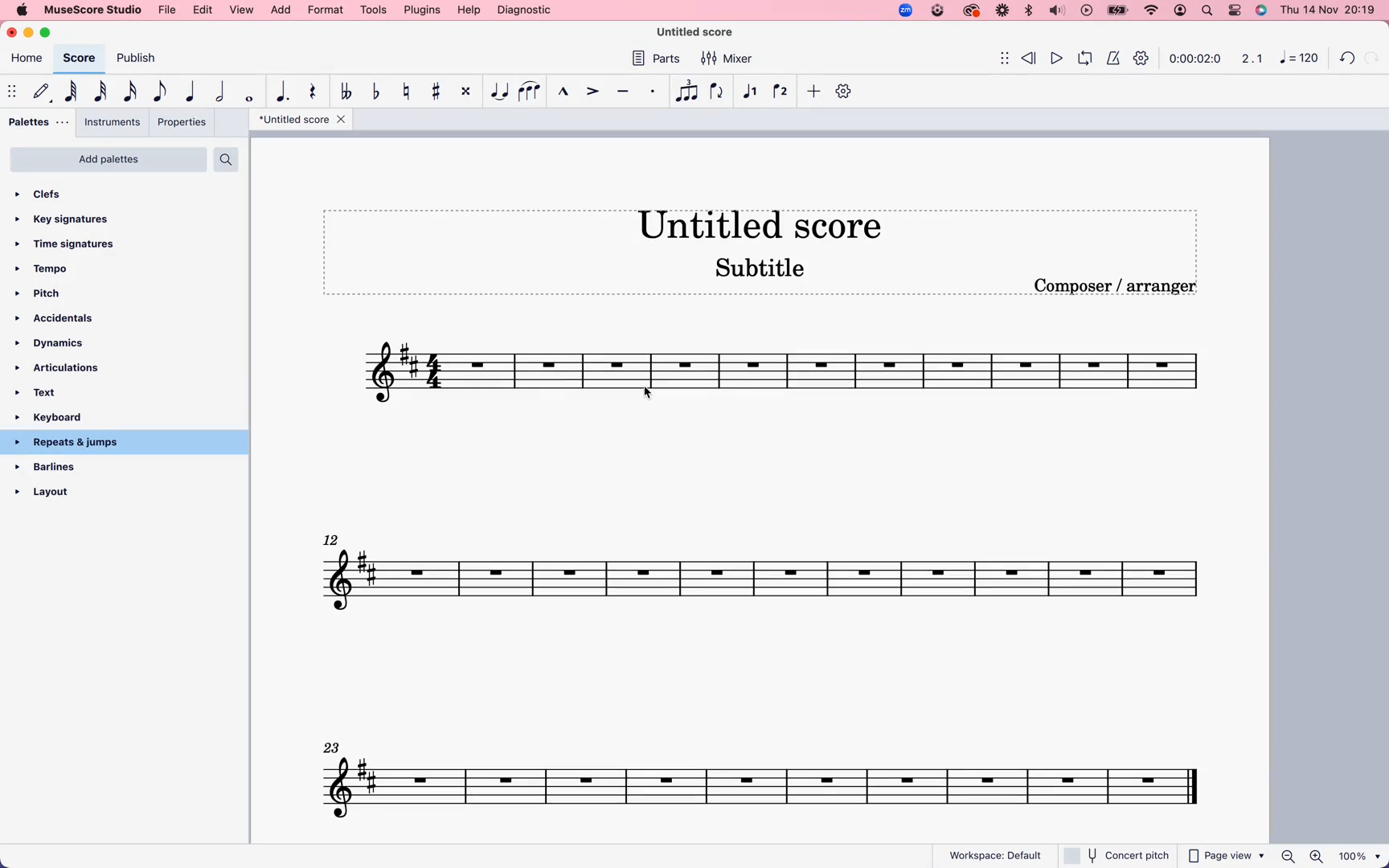  Describe the element at coordinates (50, 33) in the screenshot. I see `maximize` at that location.